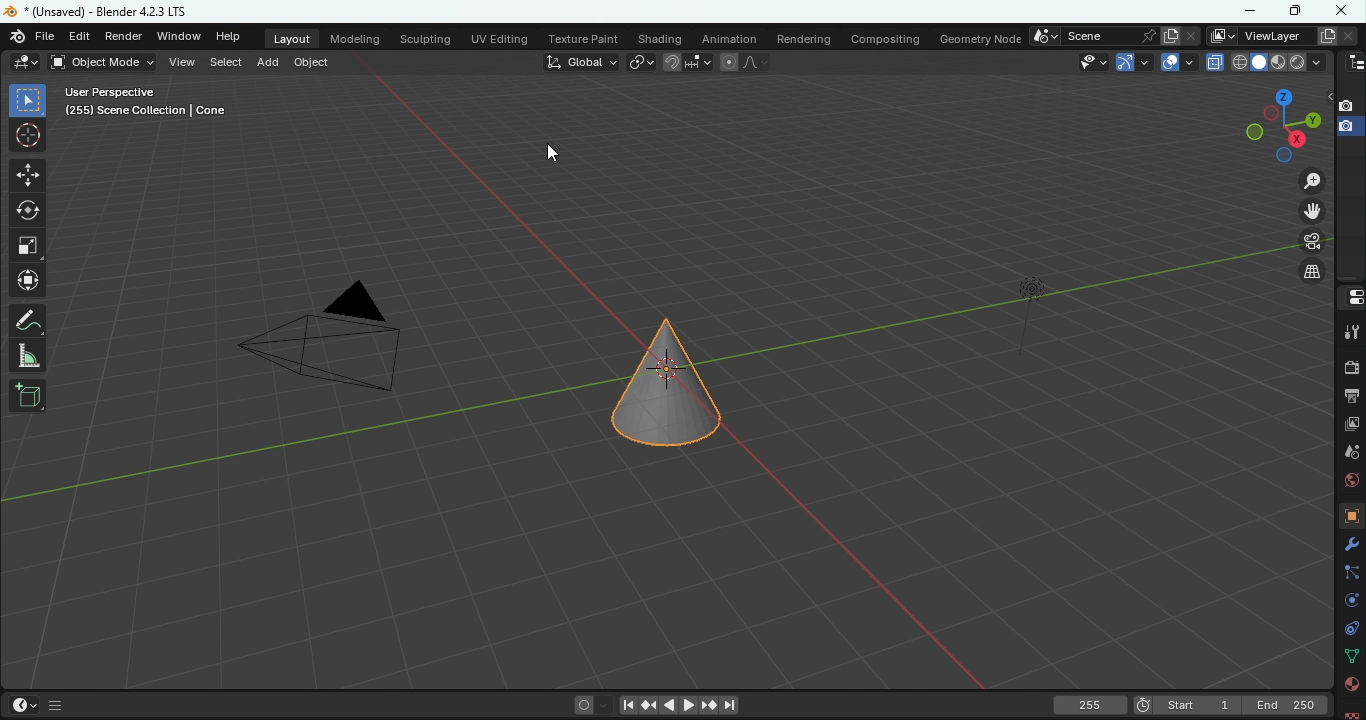  I want to click on Viewport shading: Wireframe, so click(1239, 61).